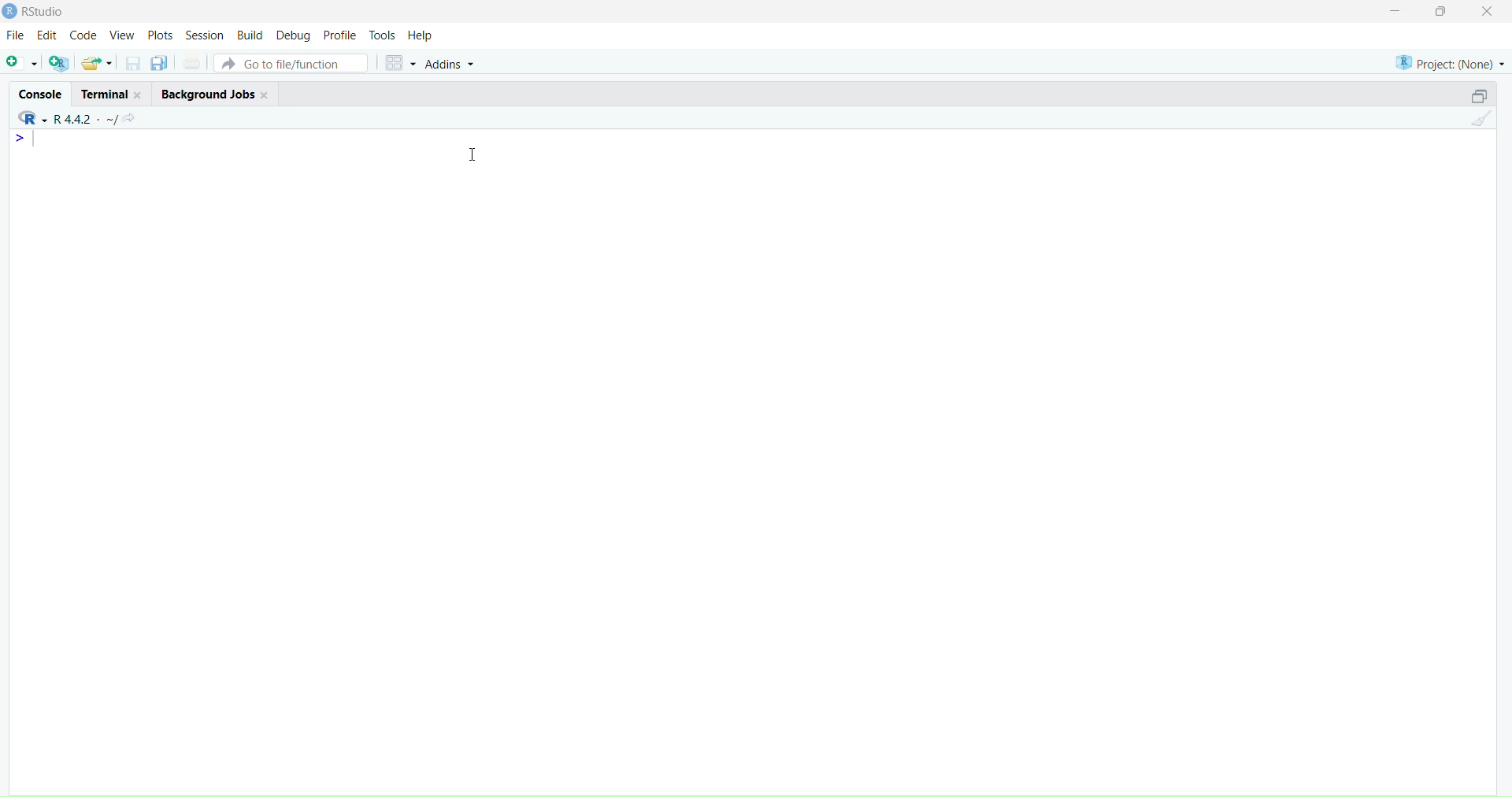  Describe the element at coordinates (401, 63) in the screenshot. I see `grid view` at that location.